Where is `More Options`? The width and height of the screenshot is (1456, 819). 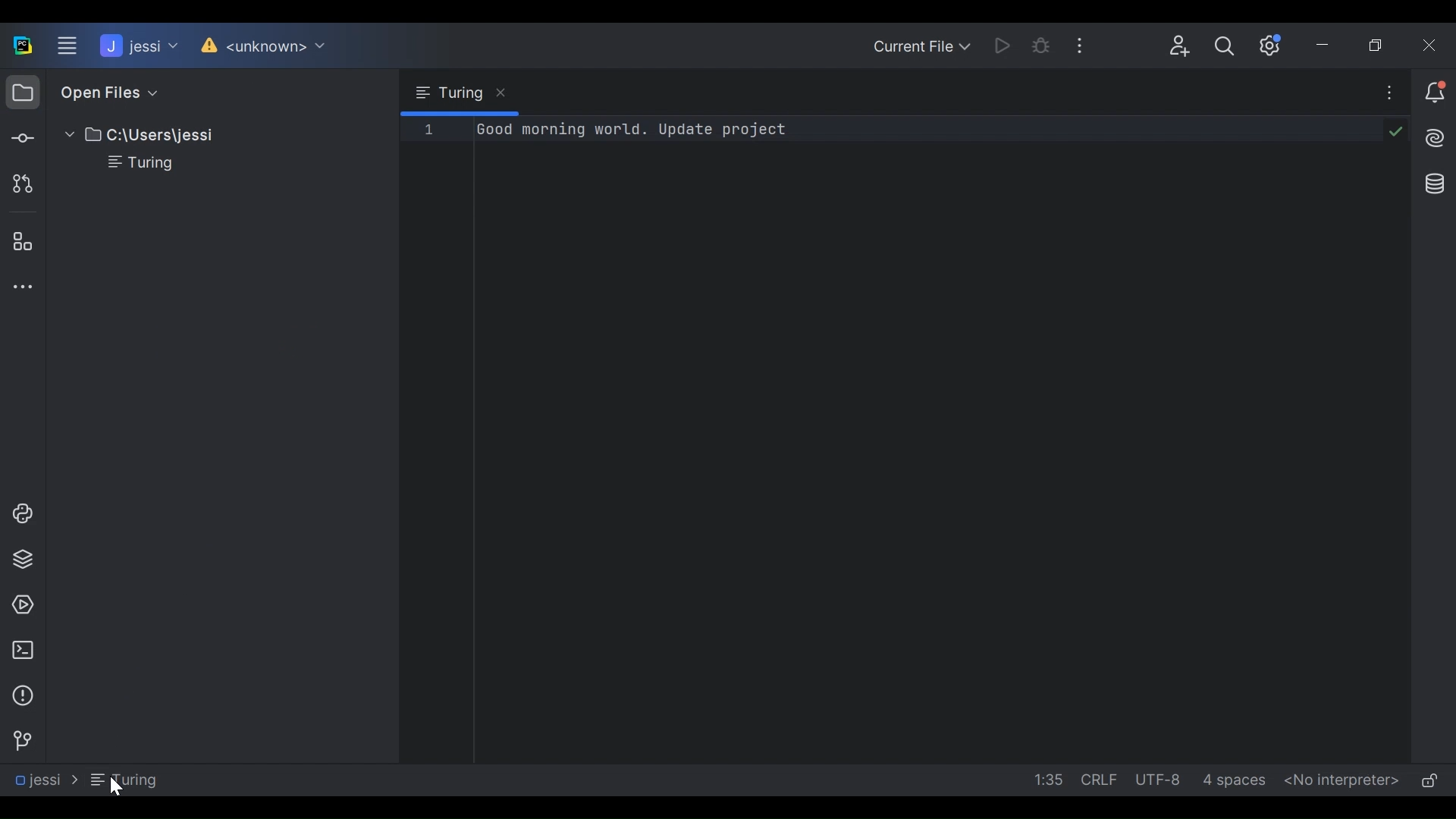
More Options is located at coordinates (1382, 92).